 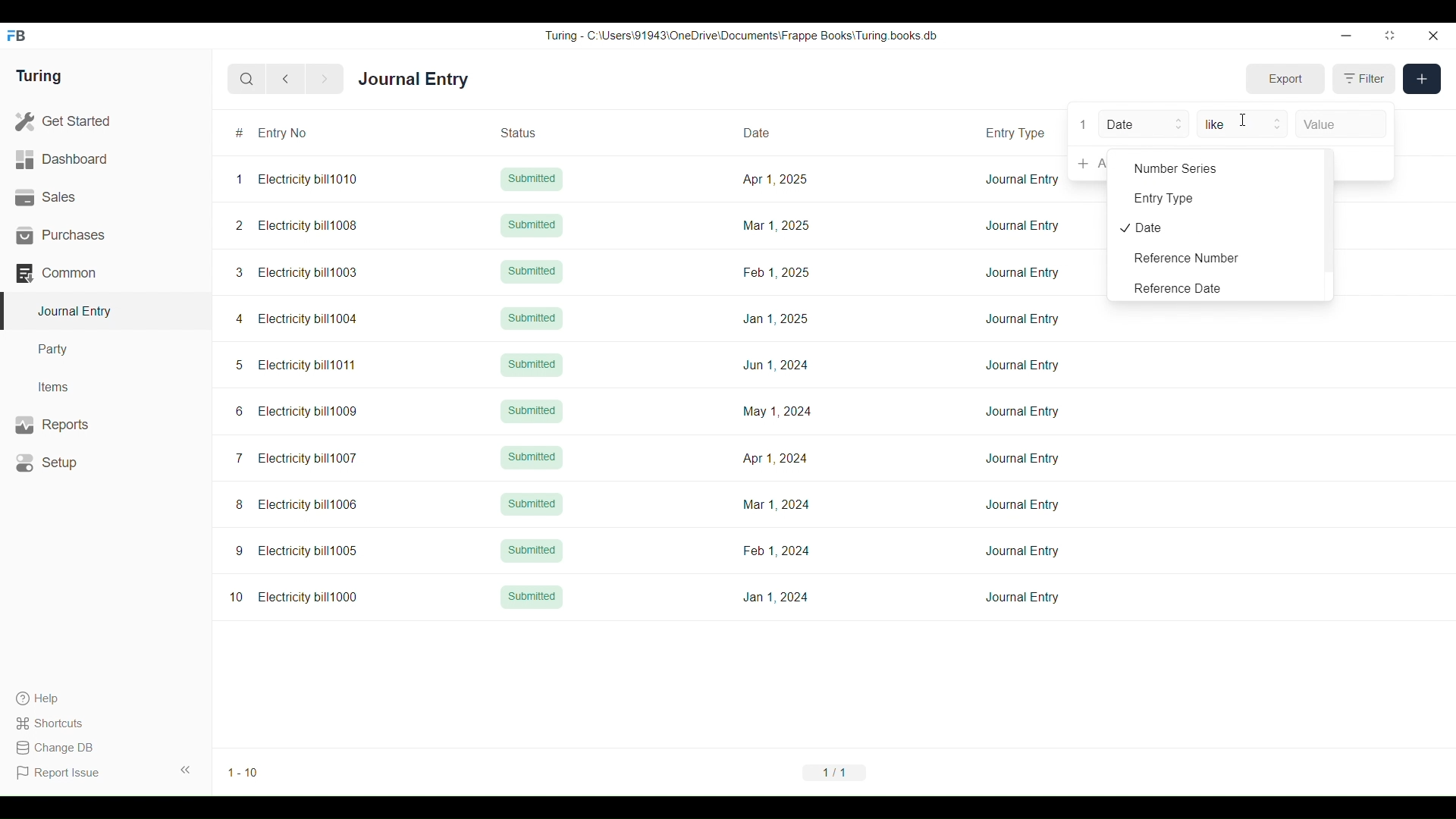 What do you see at coordinates (776, 365) in the screenshot?
I see `Jun 1, 2024` at bounding box center [776, 365].